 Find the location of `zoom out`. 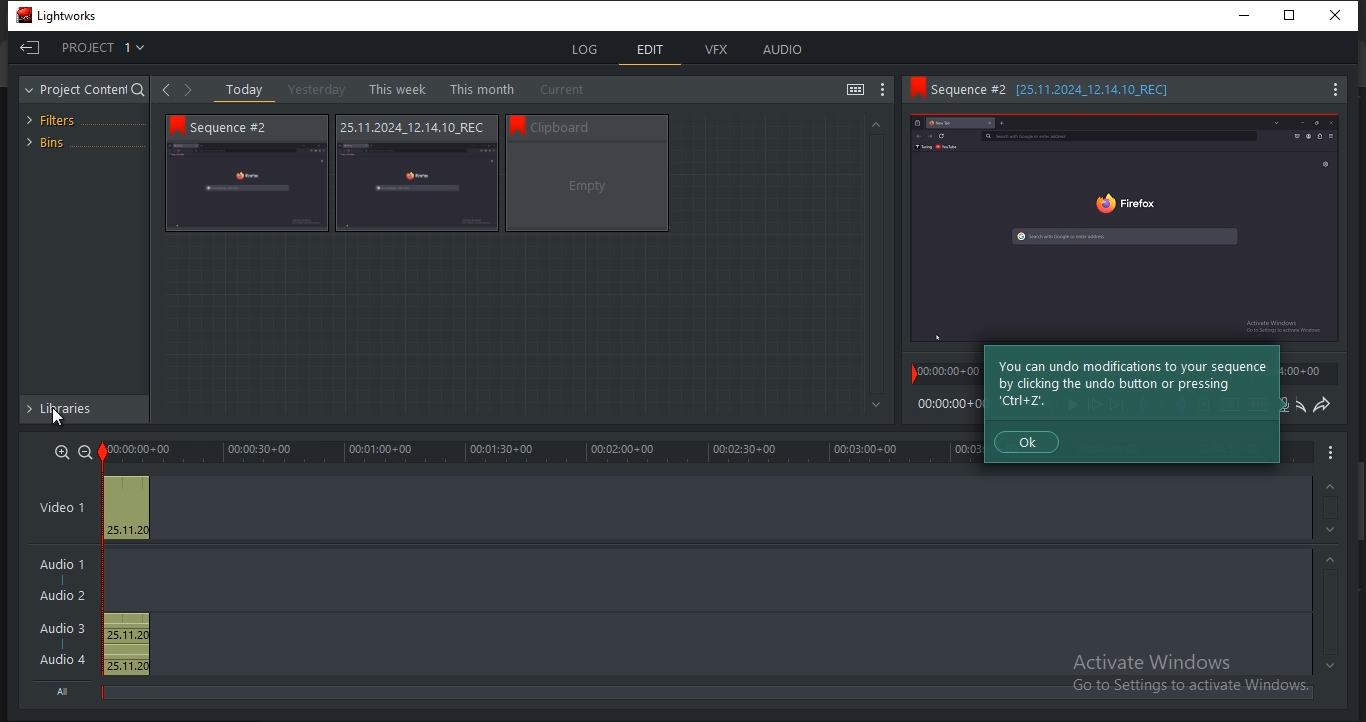

zoom out is located at coordinates (85, 451).